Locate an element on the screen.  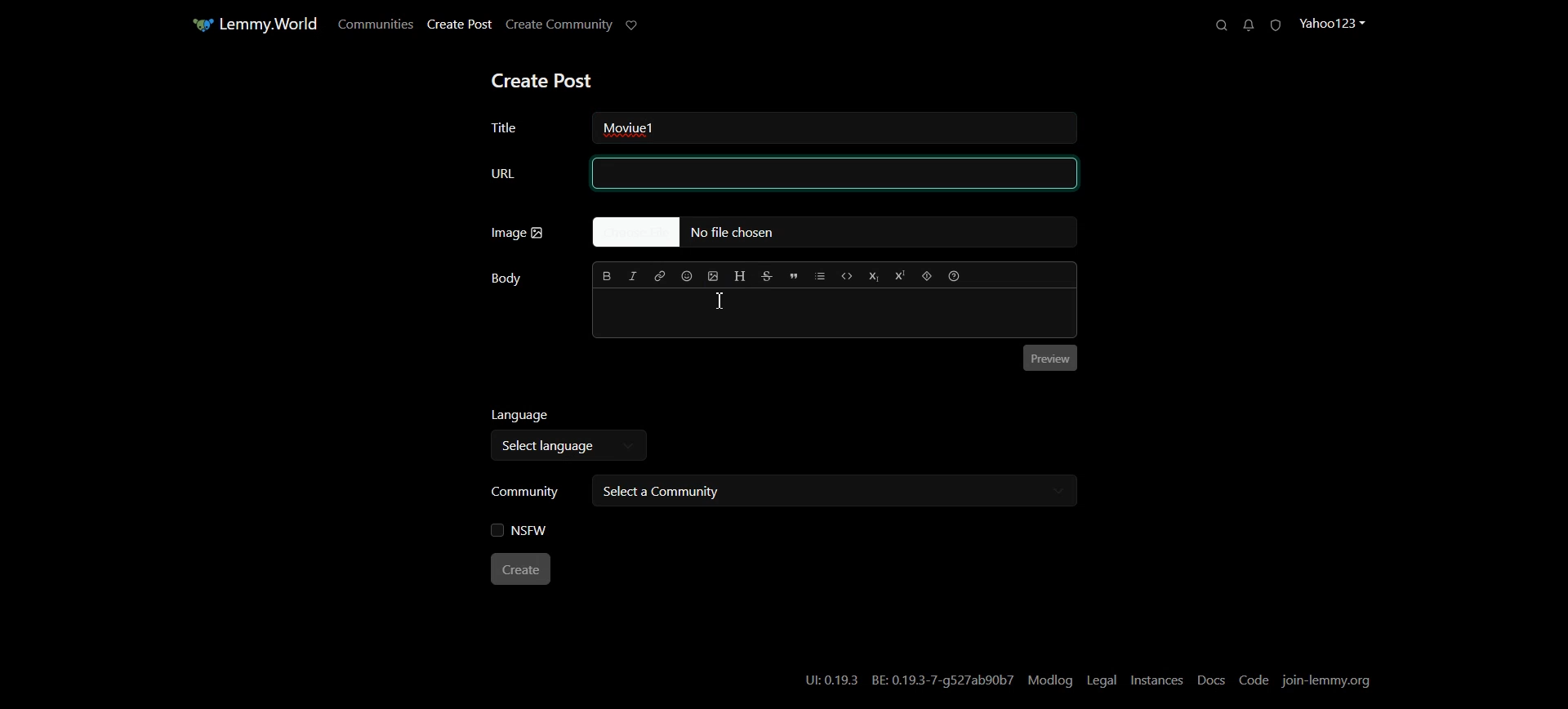
Bold  is located at coordinates (607, 275).